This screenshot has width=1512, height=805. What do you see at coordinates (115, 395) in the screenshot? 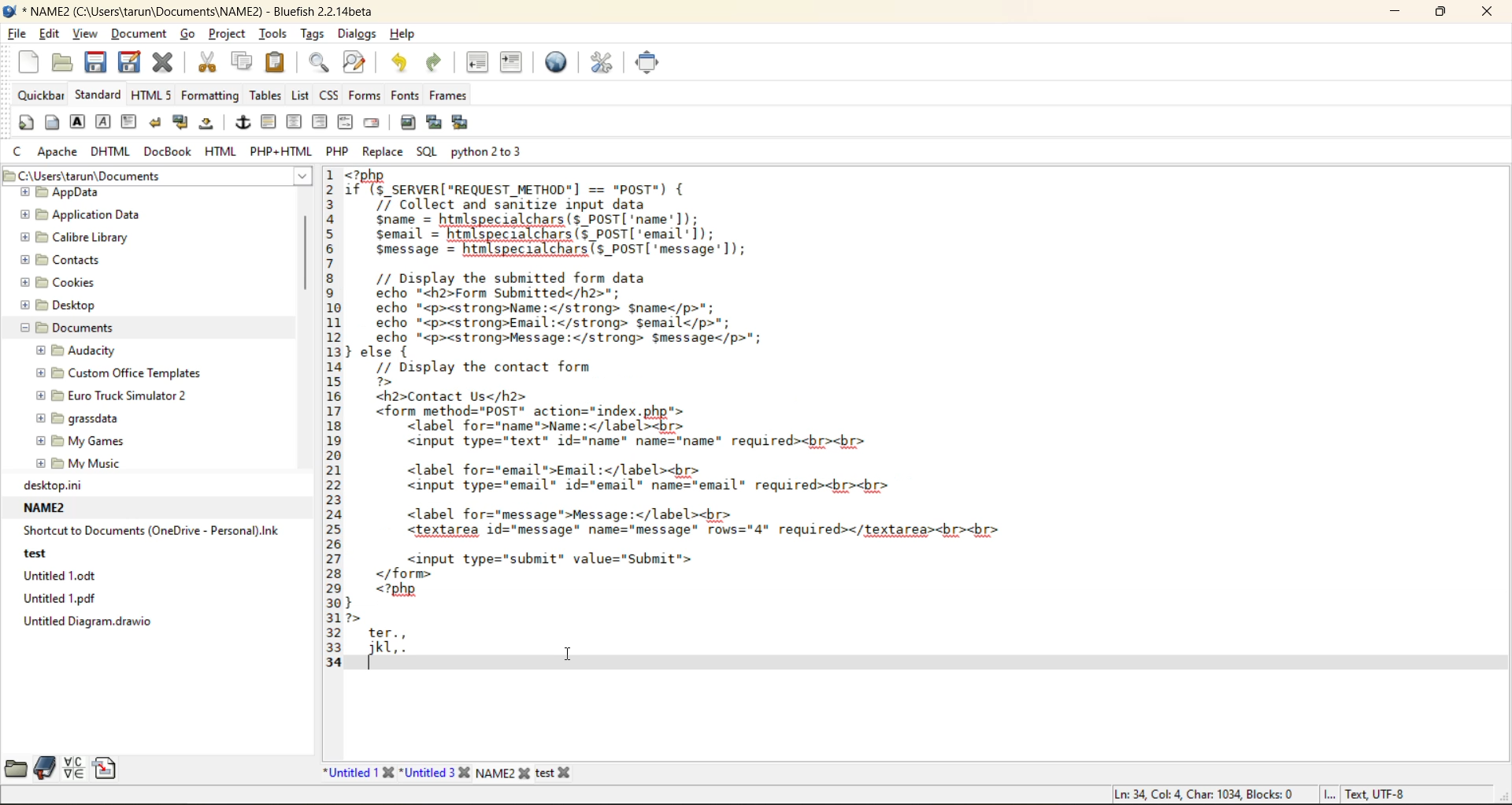
I see `Euro Truck Simulator 2` at bounding box center [115, 395].